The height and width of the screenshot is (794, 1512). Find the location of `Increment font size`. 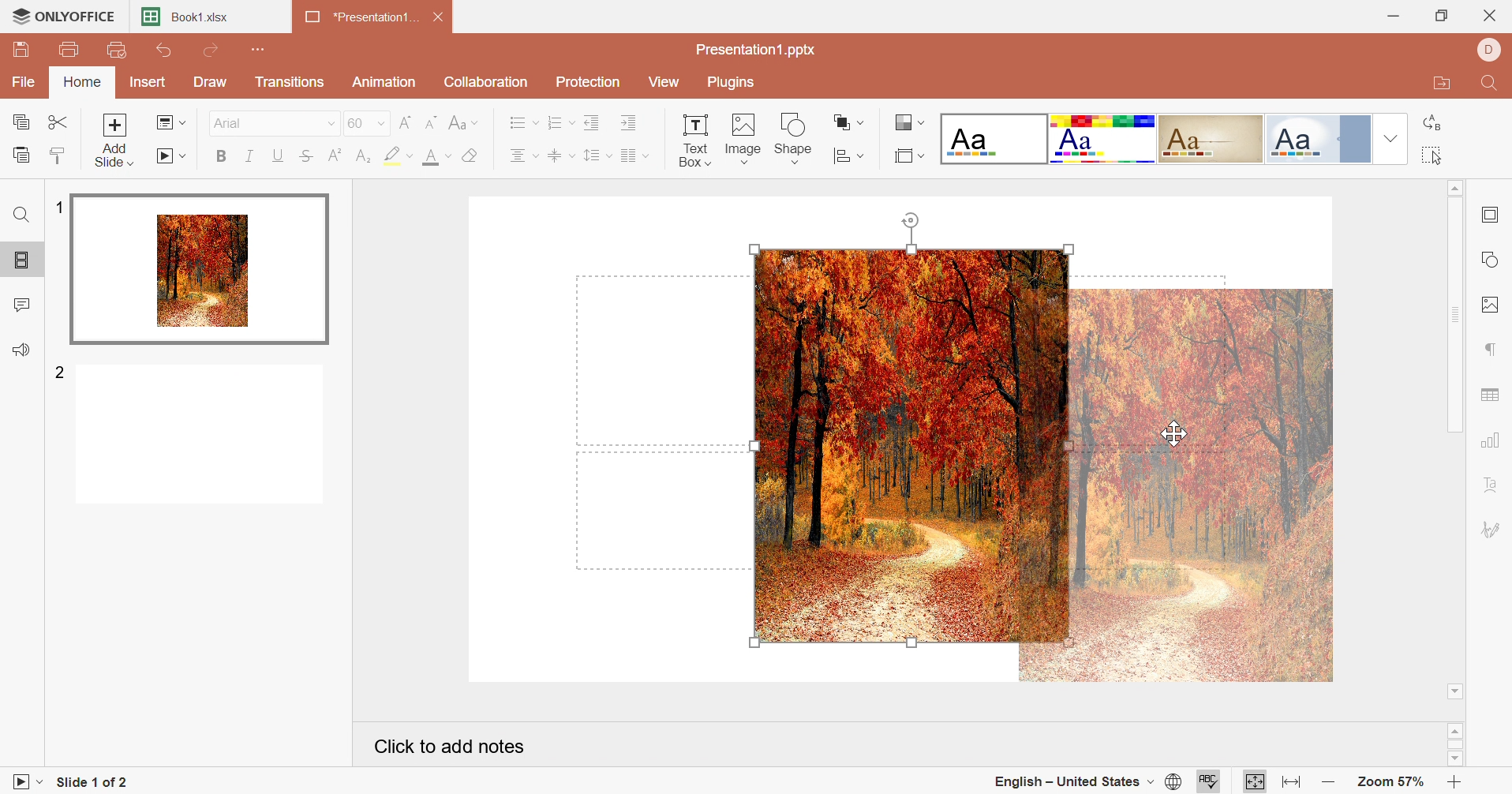

Increment font size is located at coordinates (405, 123).